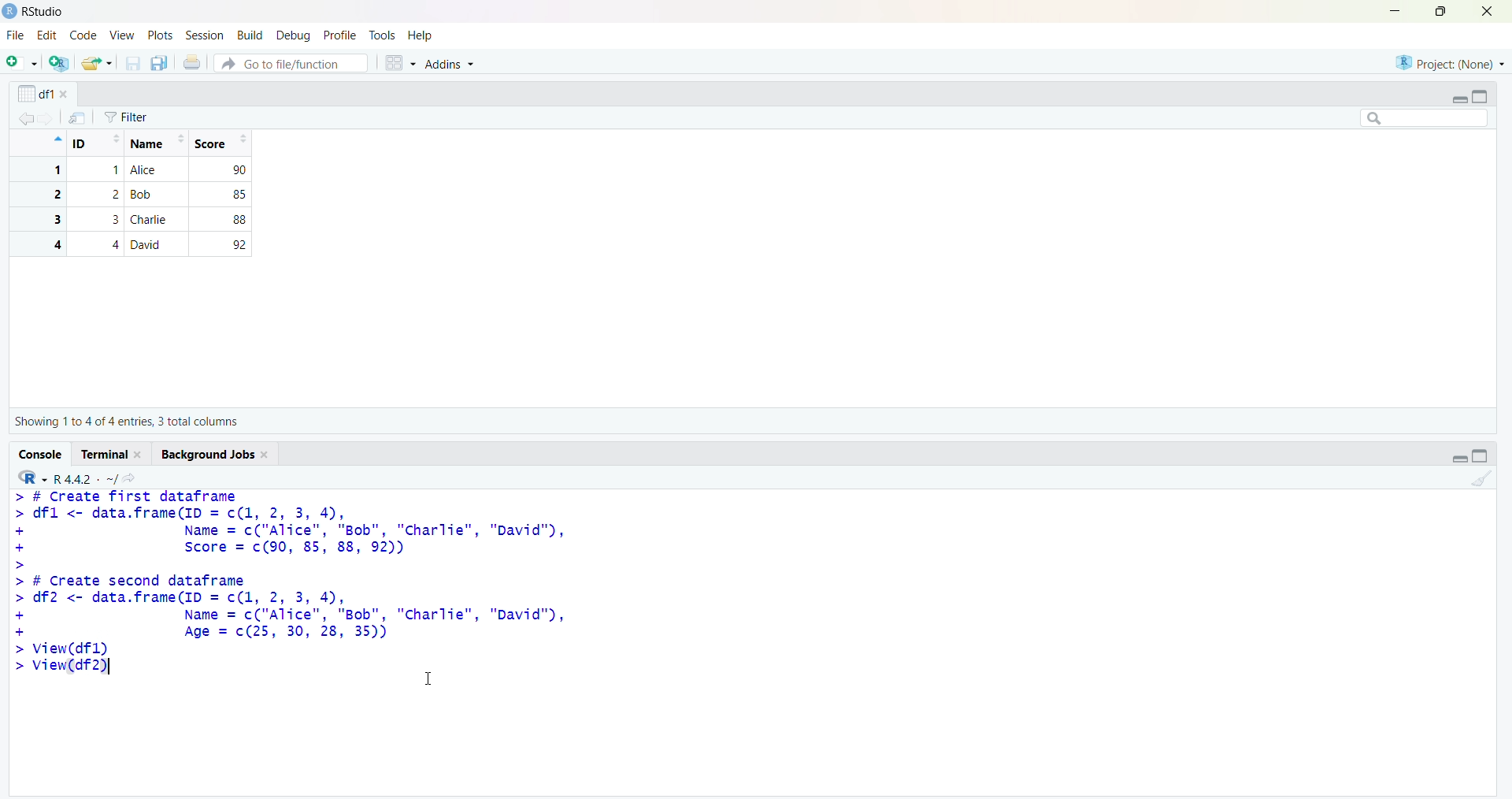 Image resolution: width=1512 pixels, height=799 pixels. I want to click on Filter, so click(126, 117).